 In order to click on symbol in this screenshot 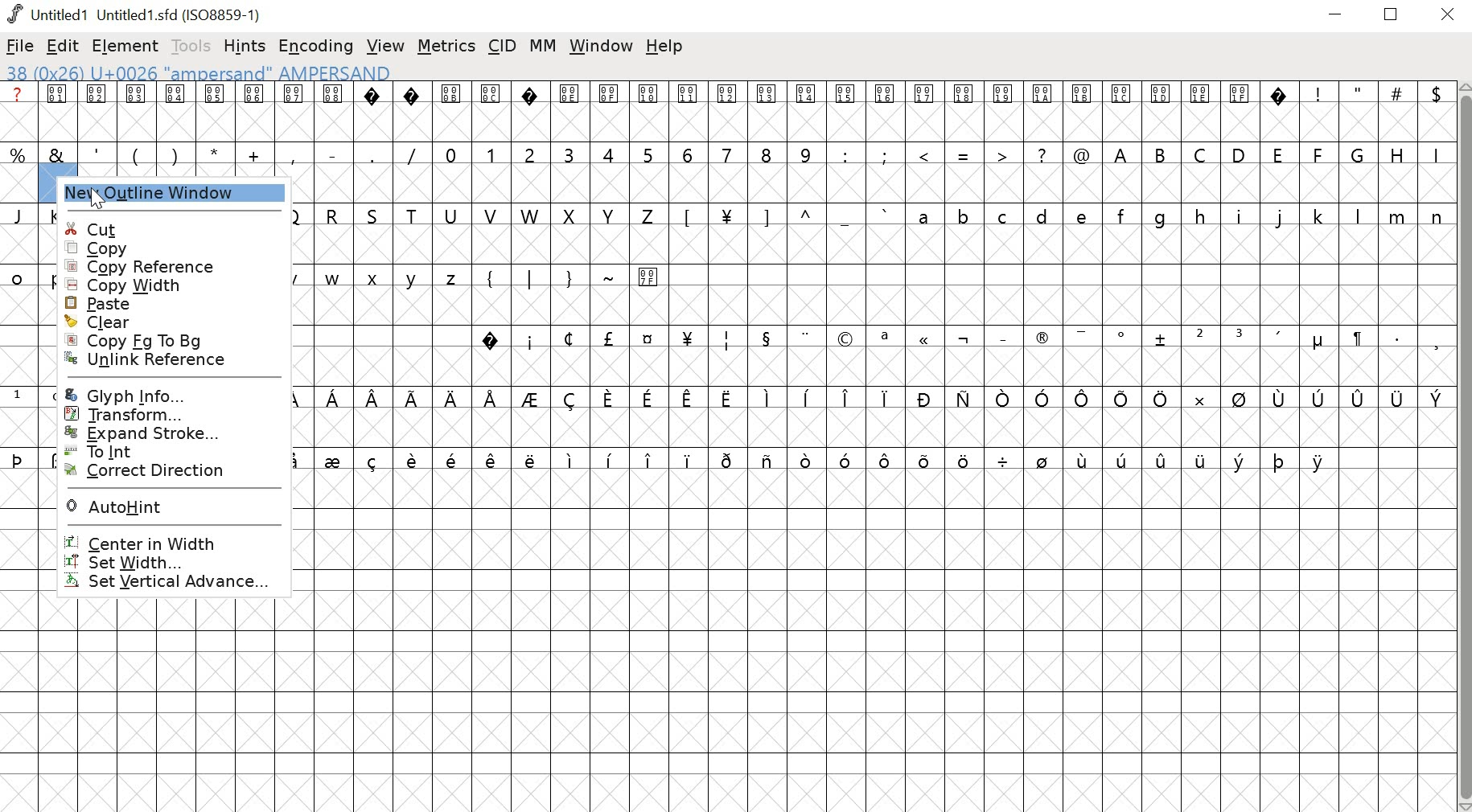, I will do `click(650, 459)`.